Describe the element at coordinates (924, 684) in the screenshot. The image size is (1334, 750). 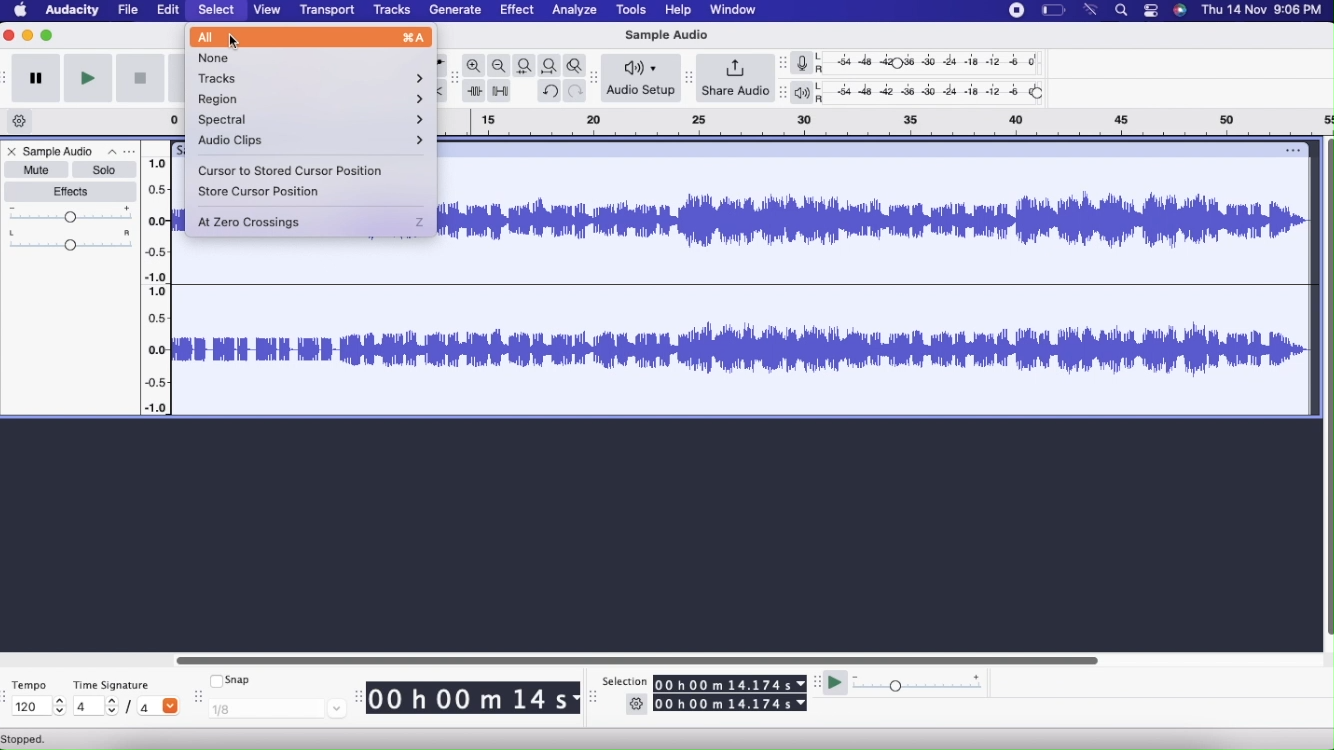
I see `Playback Speed` at that location.